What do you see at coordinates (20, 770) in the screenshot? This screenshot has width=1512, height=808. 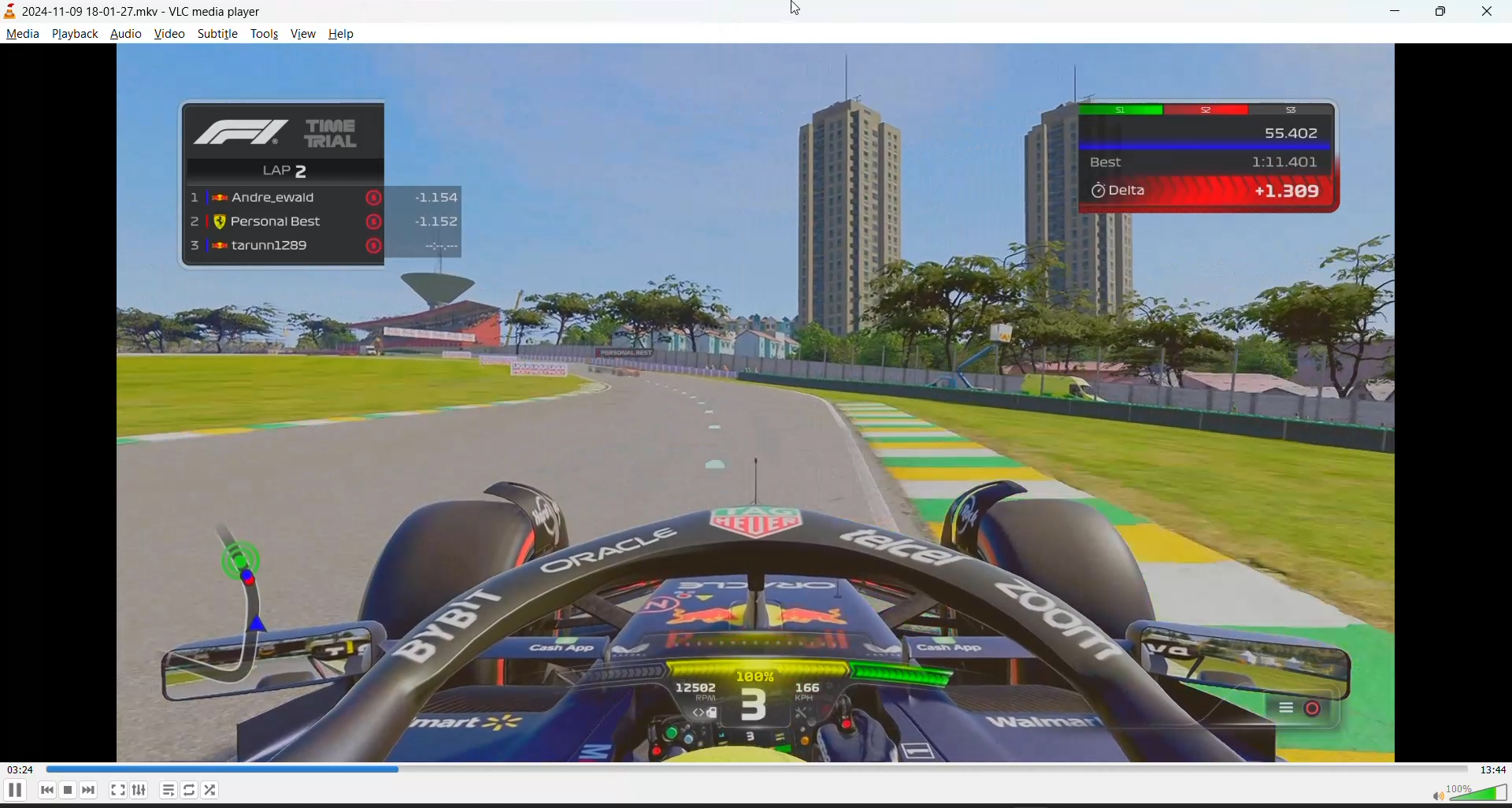 I see `current track time` at bounding box center [20, 770].